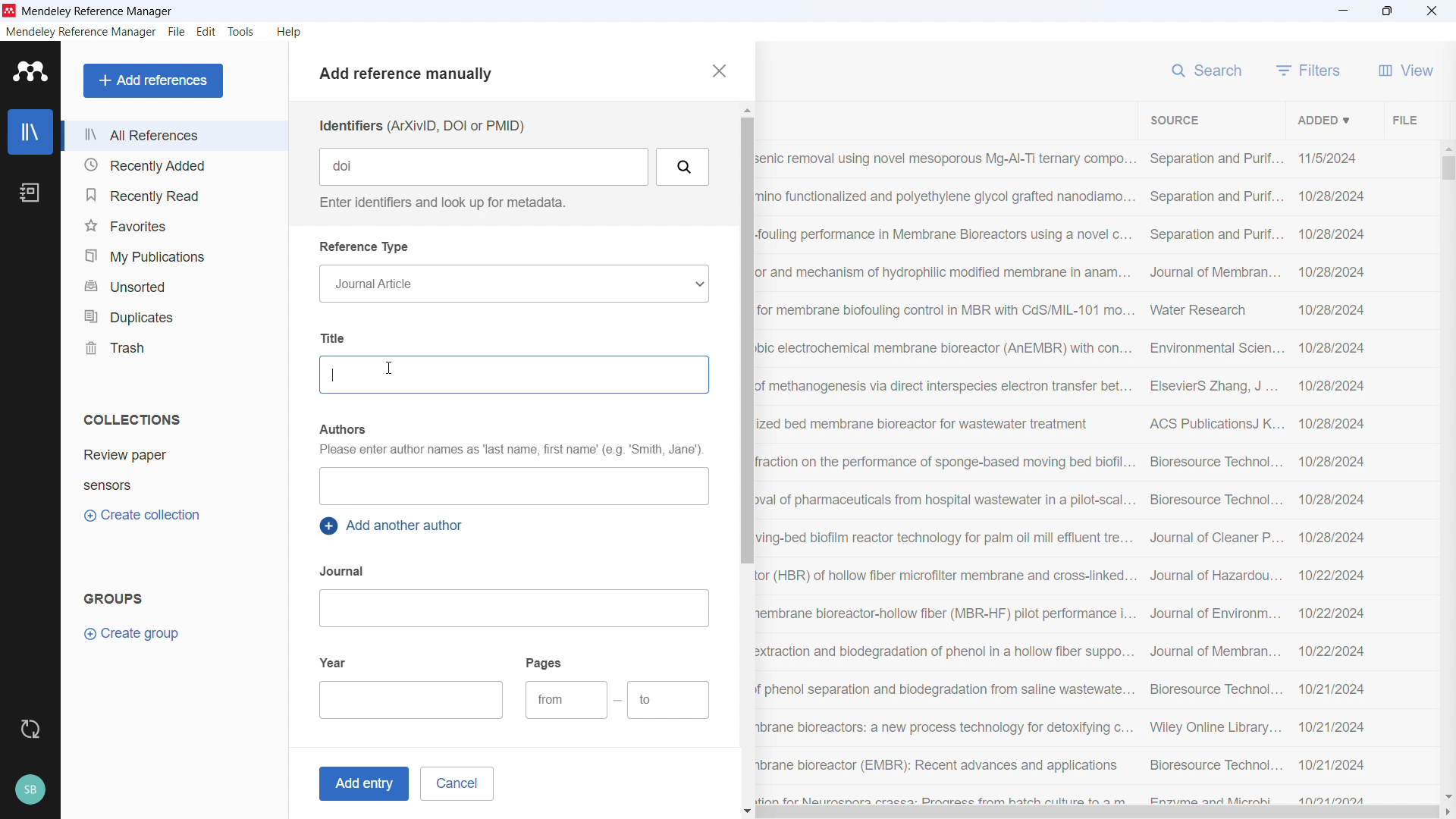  What do you see at coordinates (173, 347) in the screenshot?
I see `Trash ` at bounding box center [173, 347].